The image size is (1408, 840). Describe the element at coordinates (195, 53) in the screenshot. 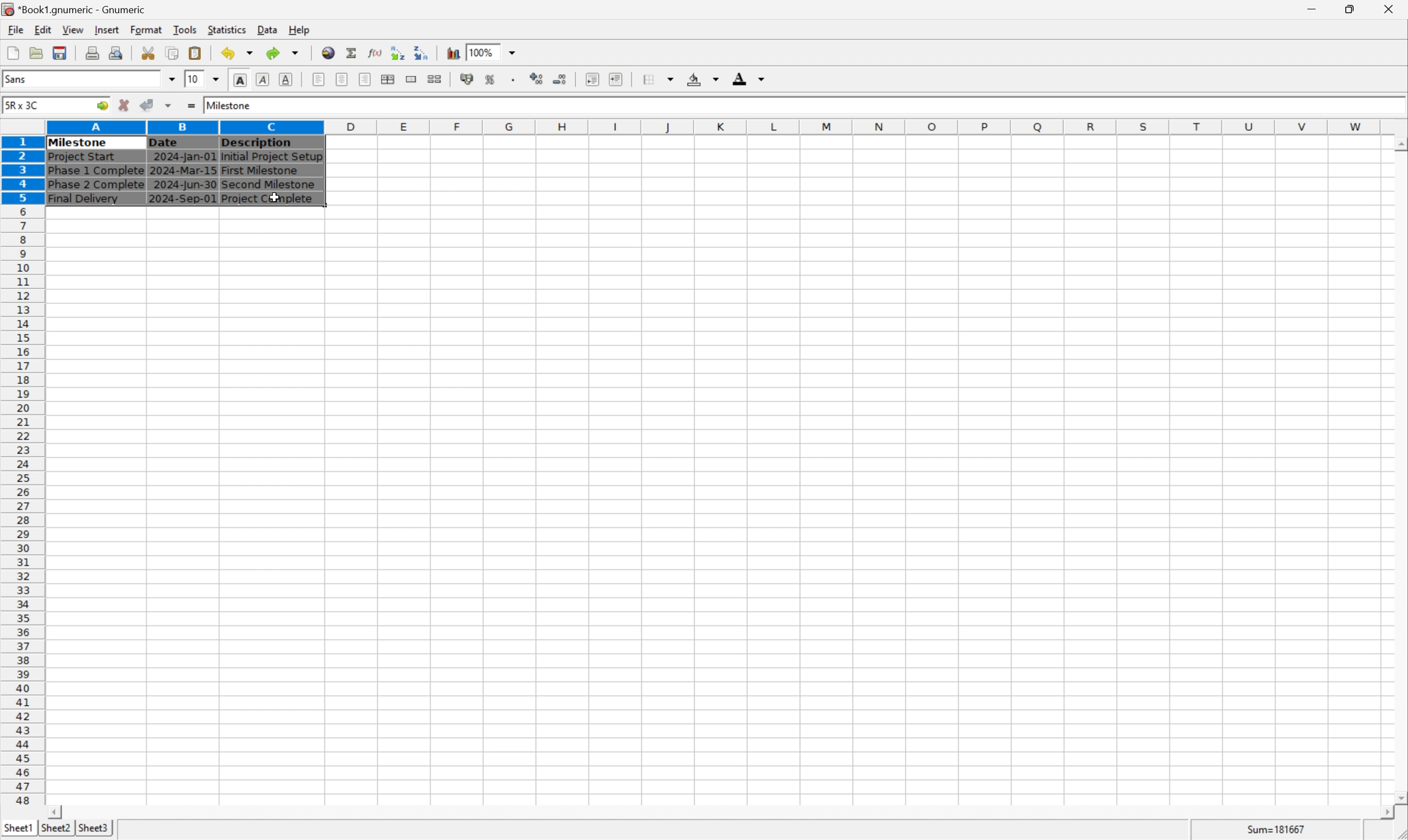

I see `paste` at that location.